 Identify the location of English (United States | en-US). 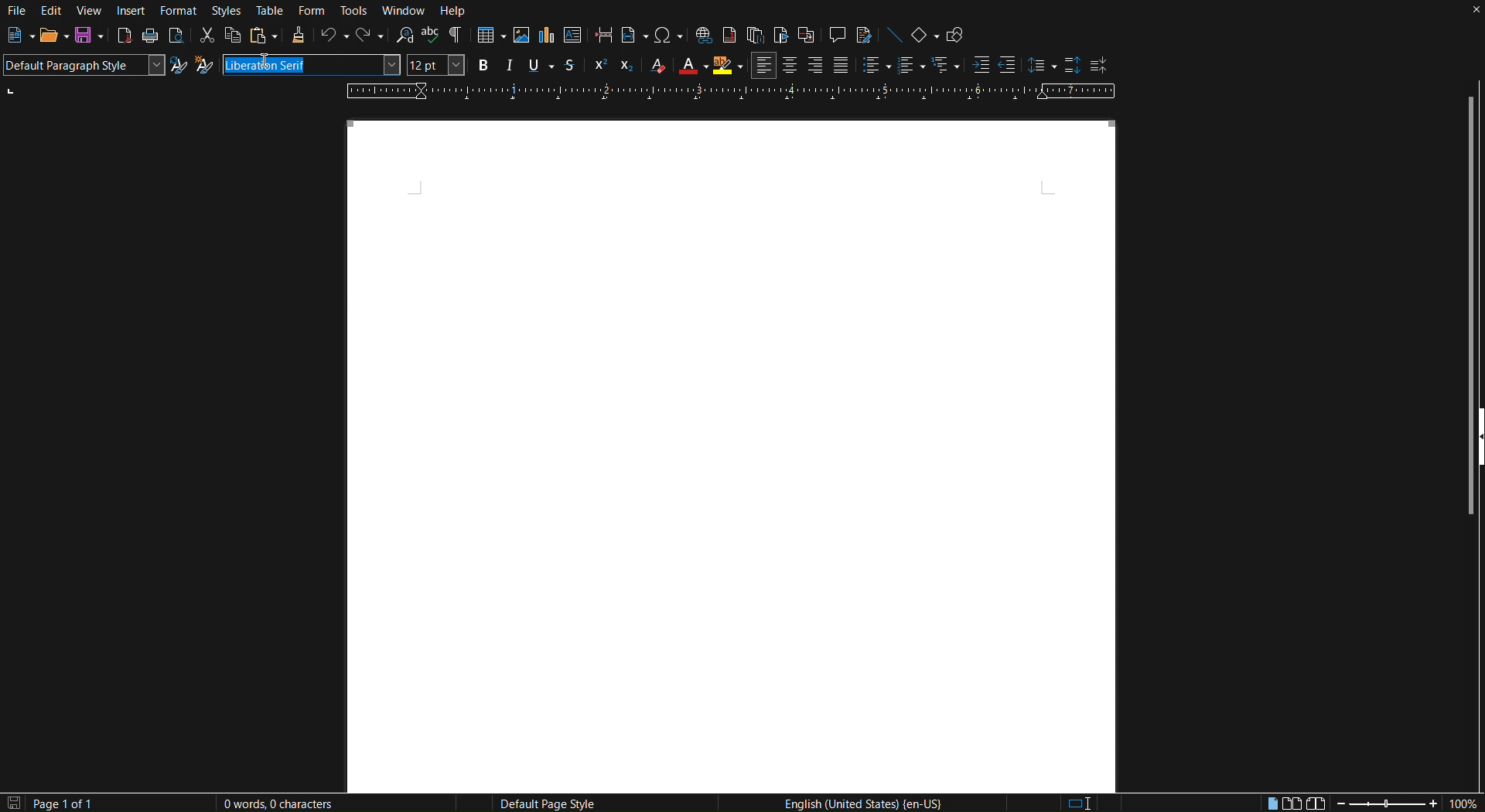
(866, 803).